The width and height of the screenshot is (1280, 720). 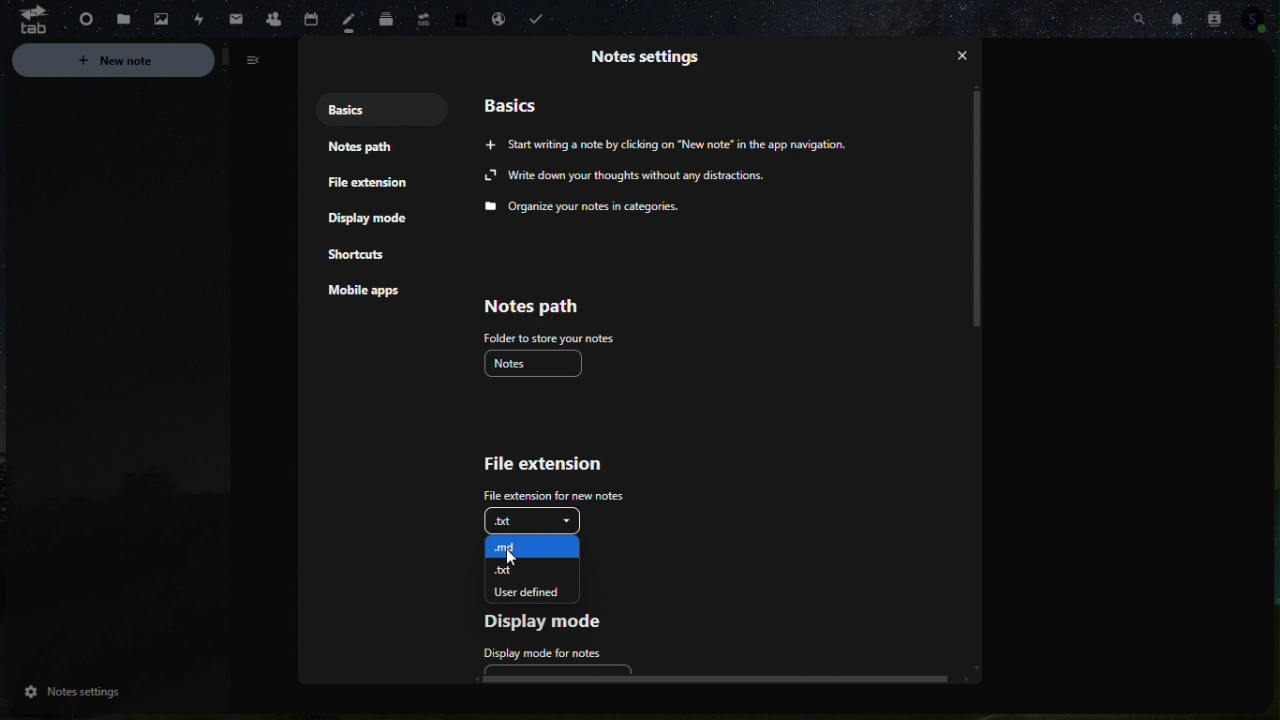 What do you see at coordinates (522, 104) in the screenshot?
I see `Basic` at bounding box center [522, 104].